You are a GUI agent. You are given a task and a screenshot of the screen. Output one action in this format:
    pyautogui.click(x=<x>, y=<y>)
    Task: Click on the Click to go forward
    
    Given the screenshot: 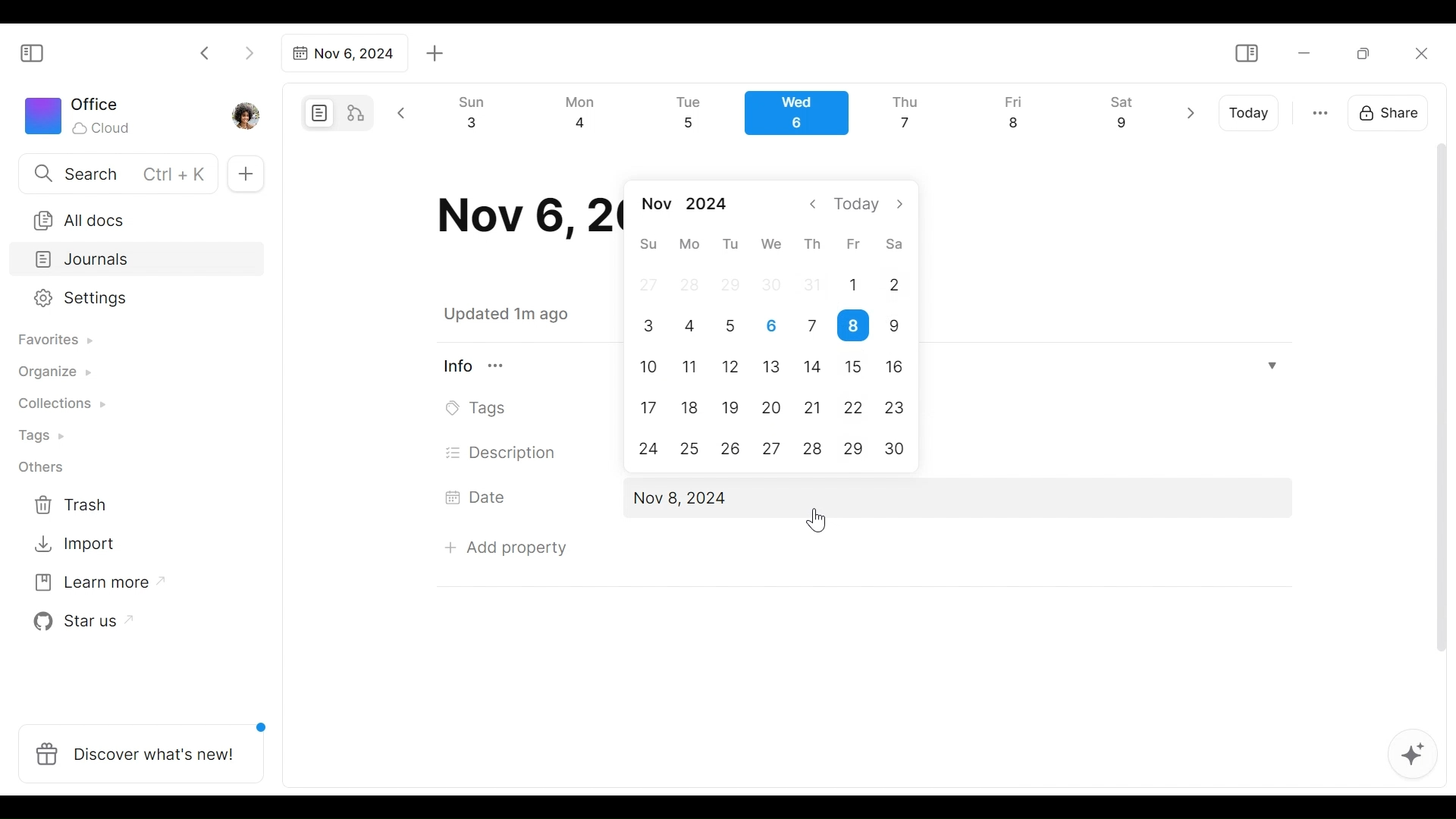 What is the action you would take?
    pyautogui.click(x=249, y=52)
    